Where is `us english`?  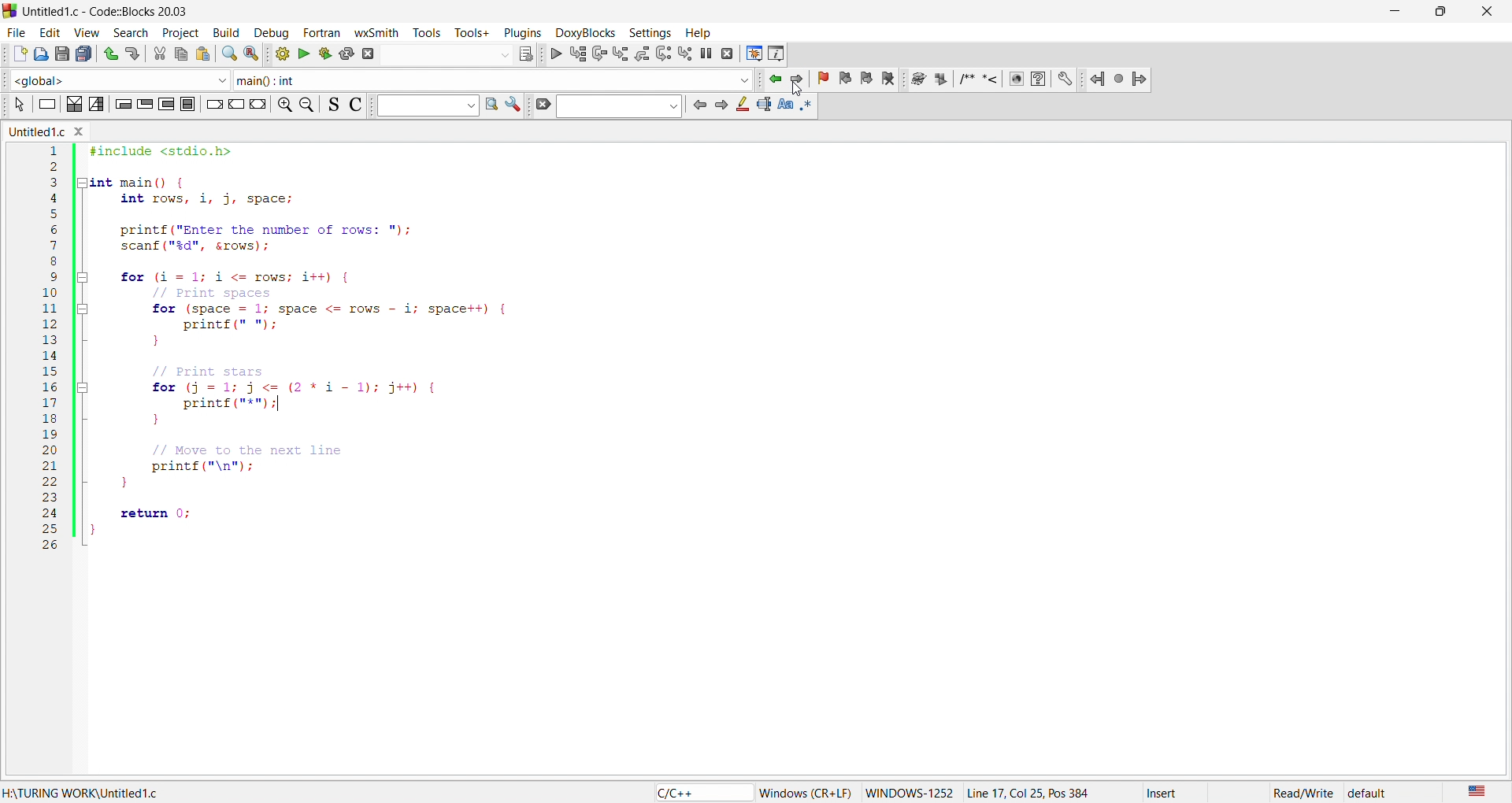 us english is located at coordinates (1468, 790).